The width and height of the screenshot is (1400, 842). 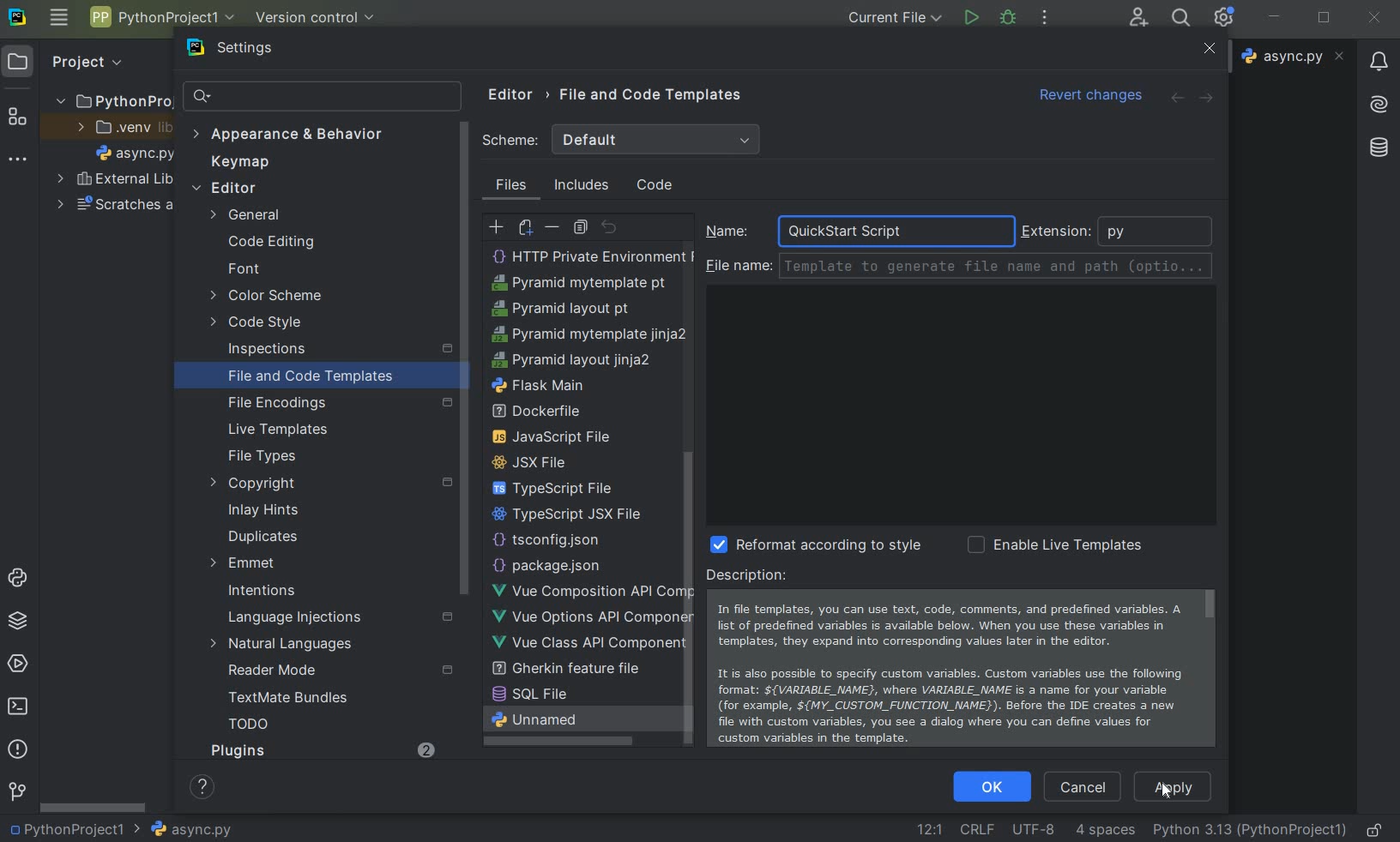 I want to click on HTTP Request scratch, so click(x=577, y=564).